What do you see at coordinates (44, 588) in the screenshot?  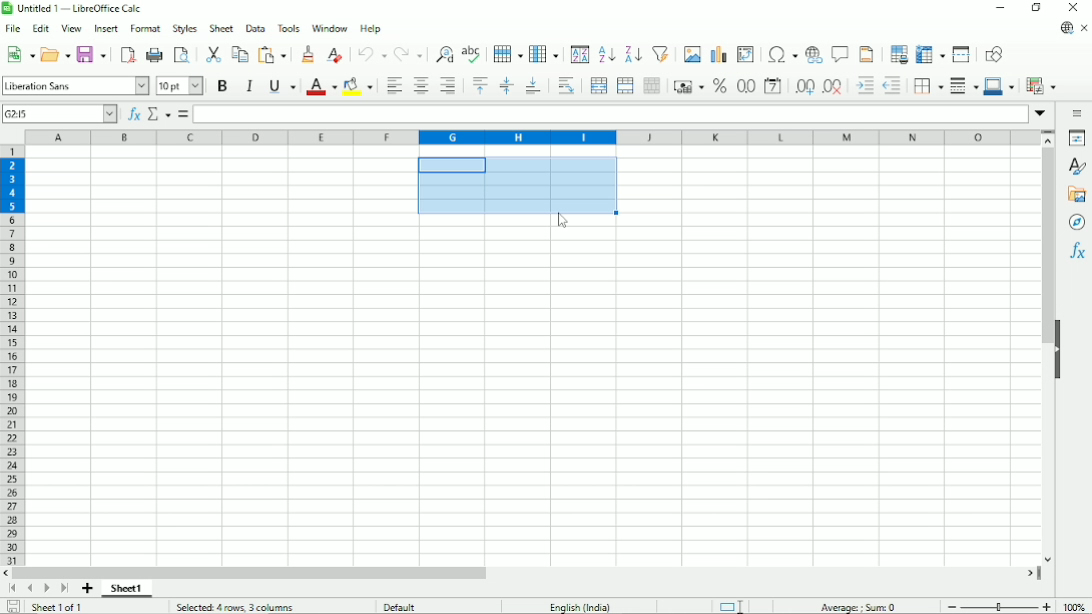 I see `Scroll to next sheet` at bounding box center [44, 588].